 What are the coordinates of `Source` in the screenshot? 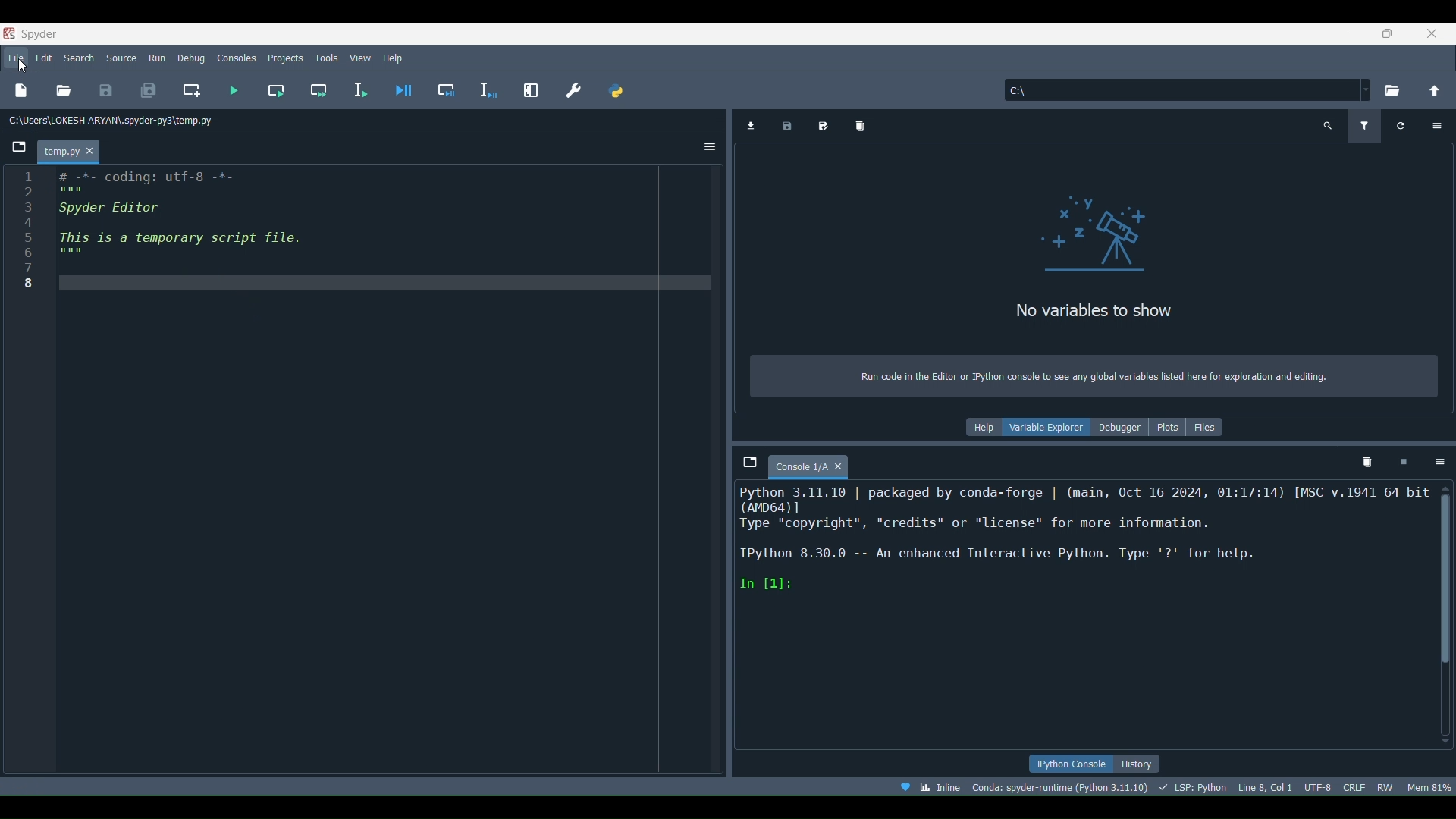 It's located at (121, 56).